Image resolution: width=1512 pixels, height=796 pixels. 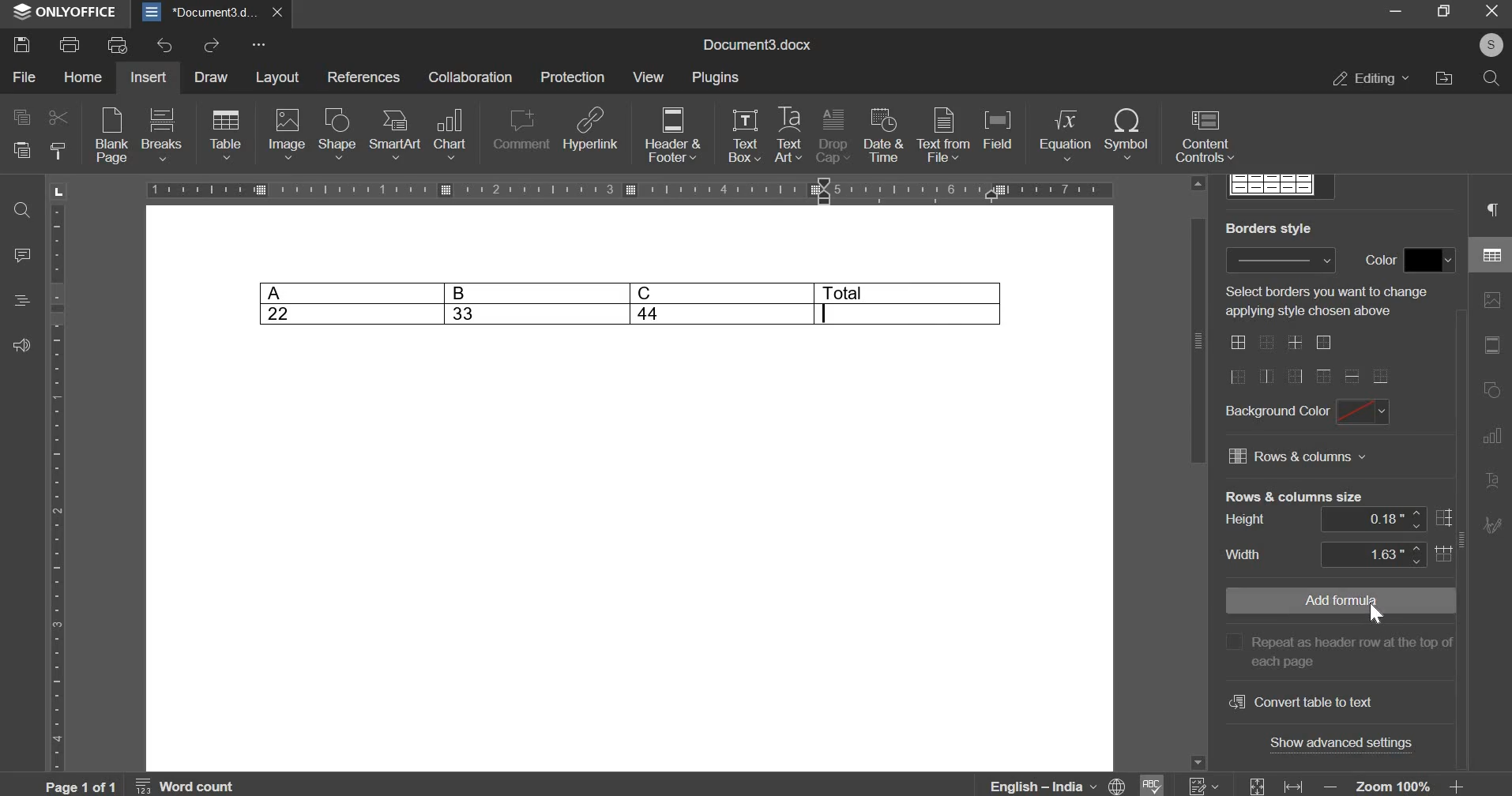 What do you see at coordinates (1491, 482) in the screenshot?
I see `text art settings` at bounding box center [1491, 482].